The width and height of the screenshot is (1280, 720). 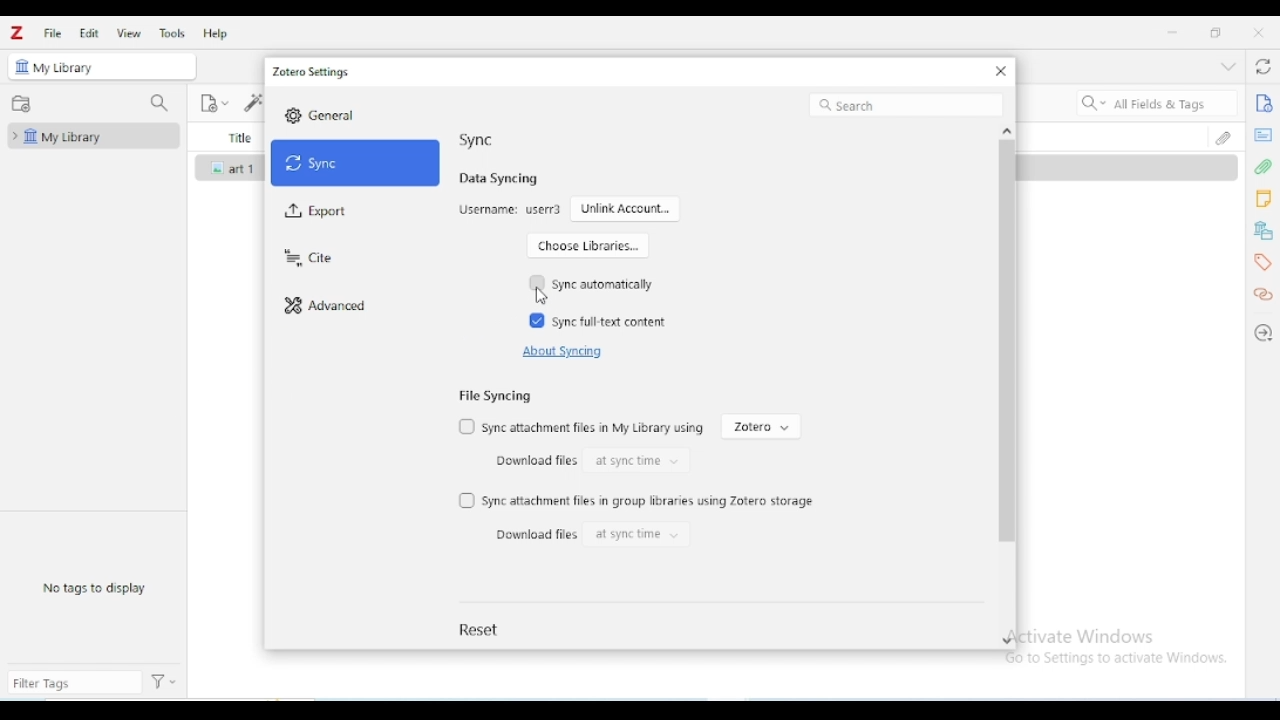 I want to click on close, so click(x=1259, y=32).